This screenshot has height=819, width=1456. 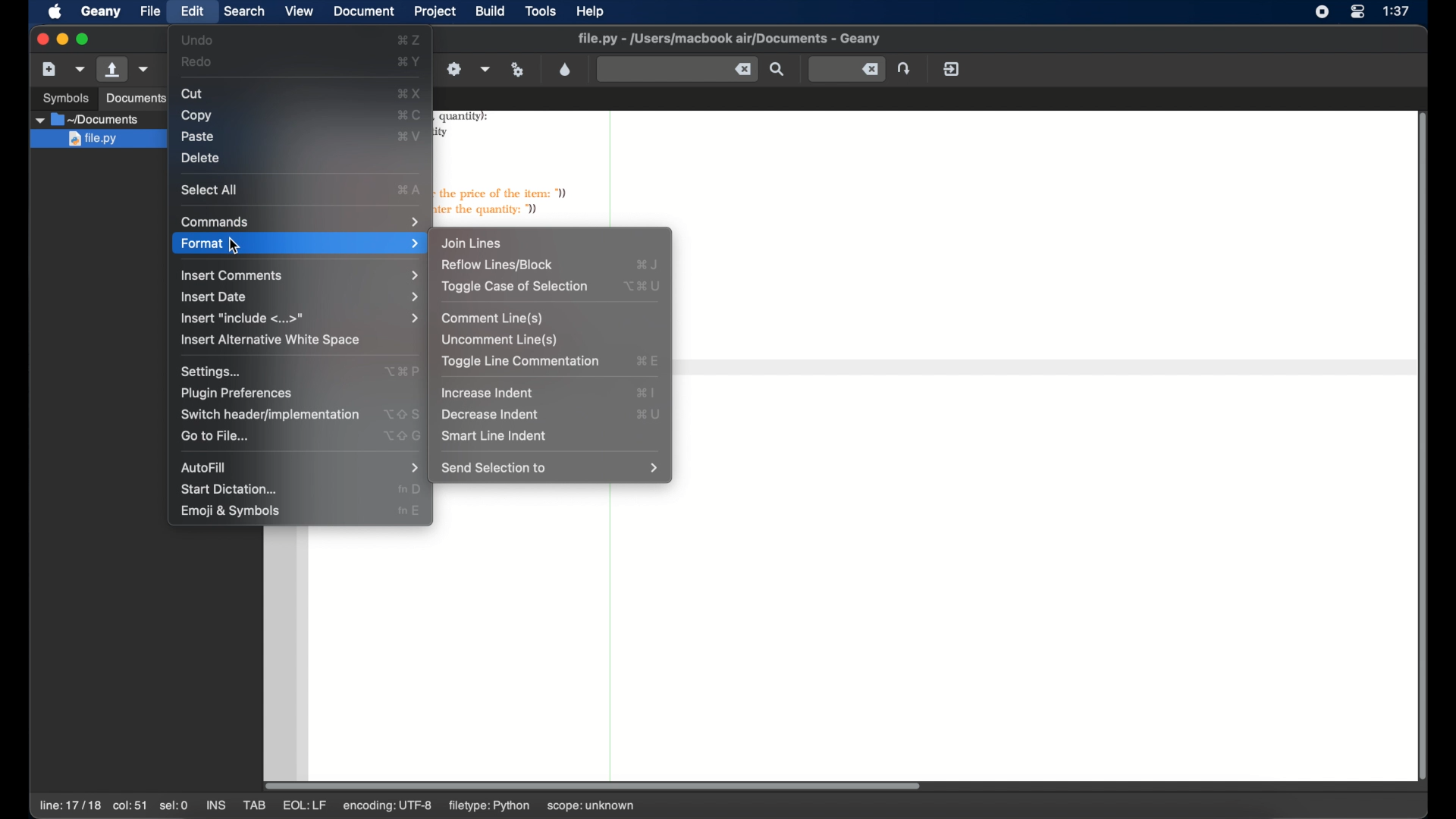 I want to click on undo shortcut, so click(x=409, y=39).